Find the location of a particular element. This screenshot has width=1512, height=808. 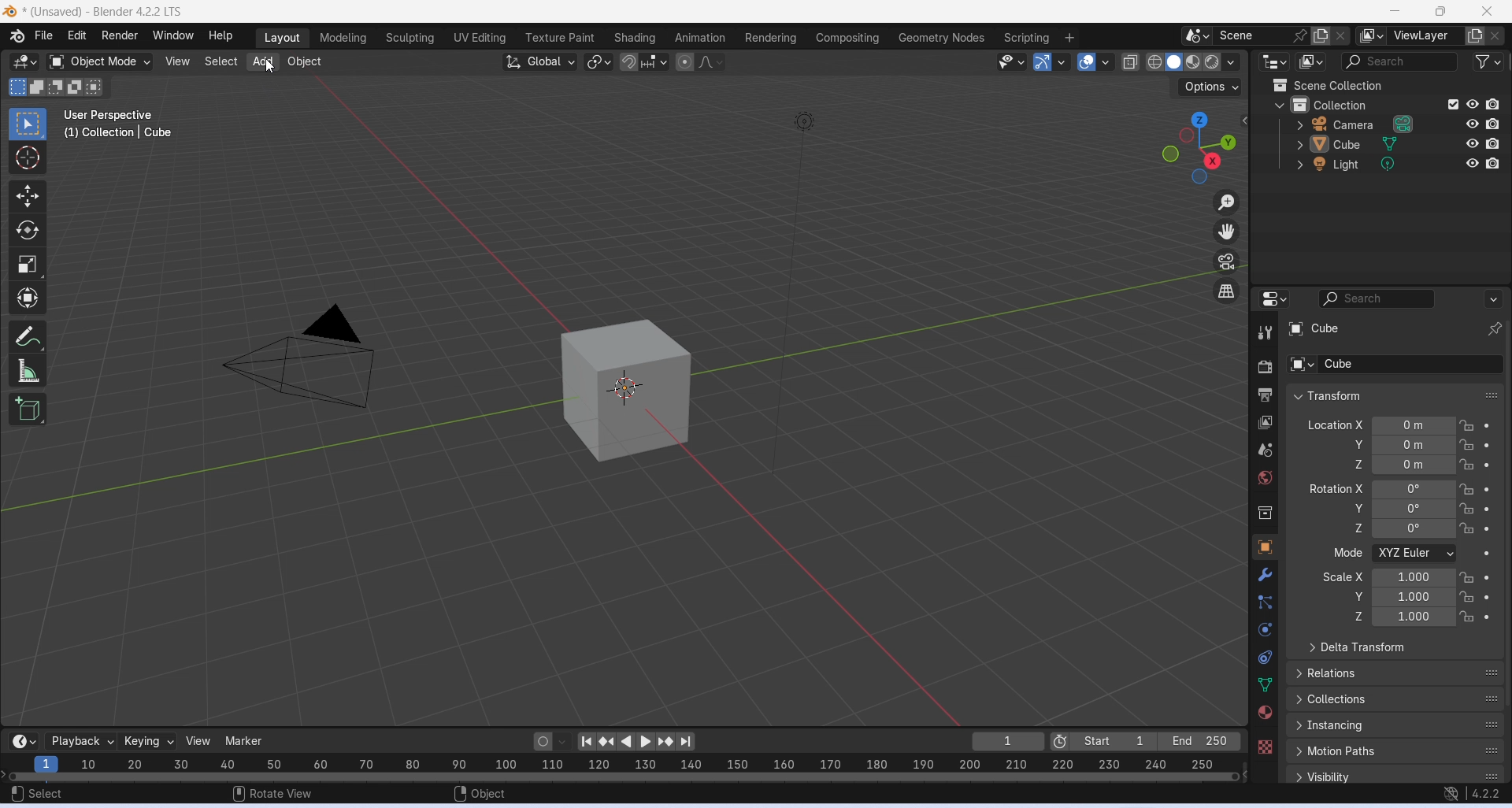

overlays is located at coordinates (1105, 62).